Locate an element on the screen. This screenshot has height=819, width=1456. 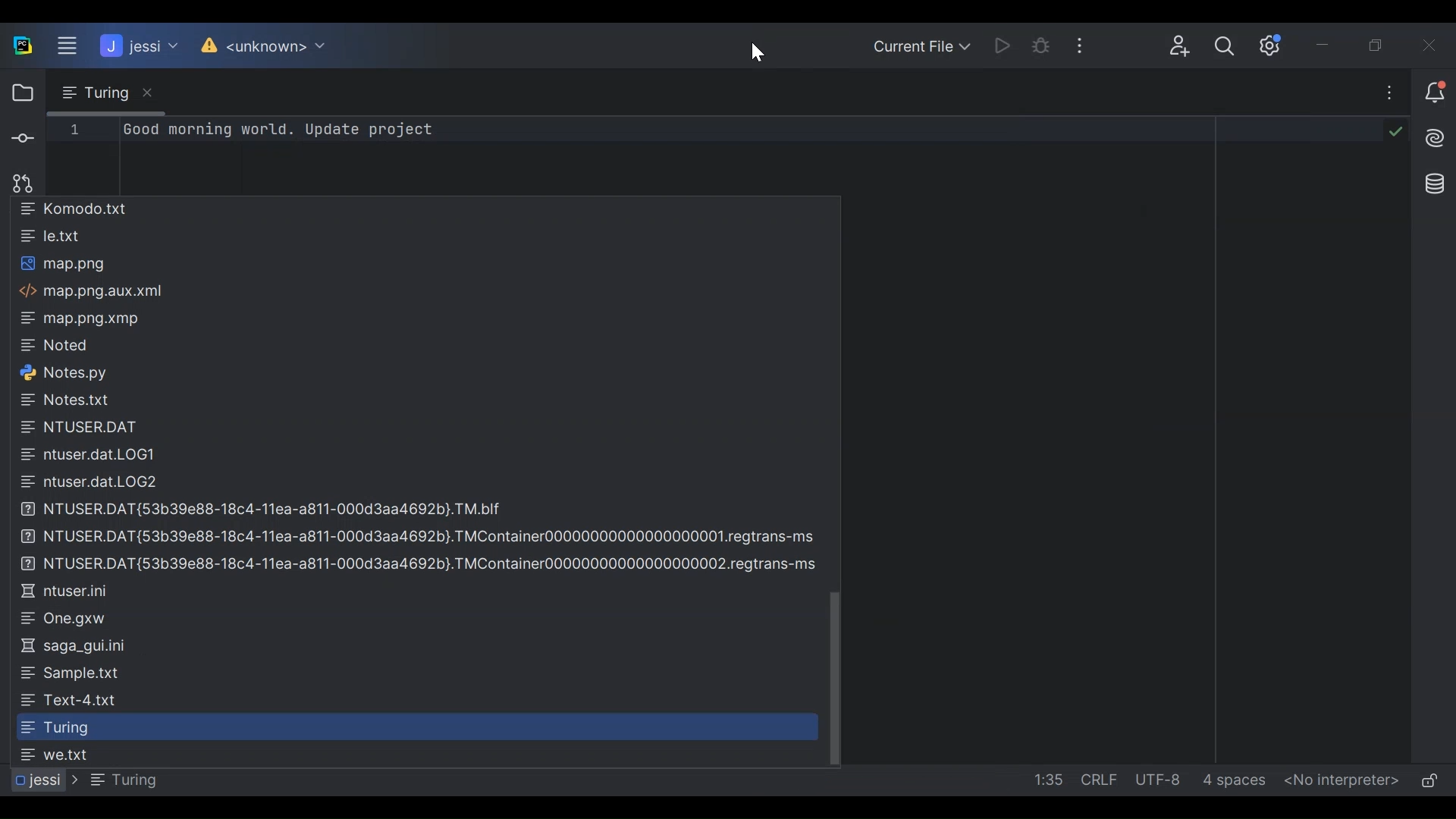
Current File is located at coordinates (923, 45).